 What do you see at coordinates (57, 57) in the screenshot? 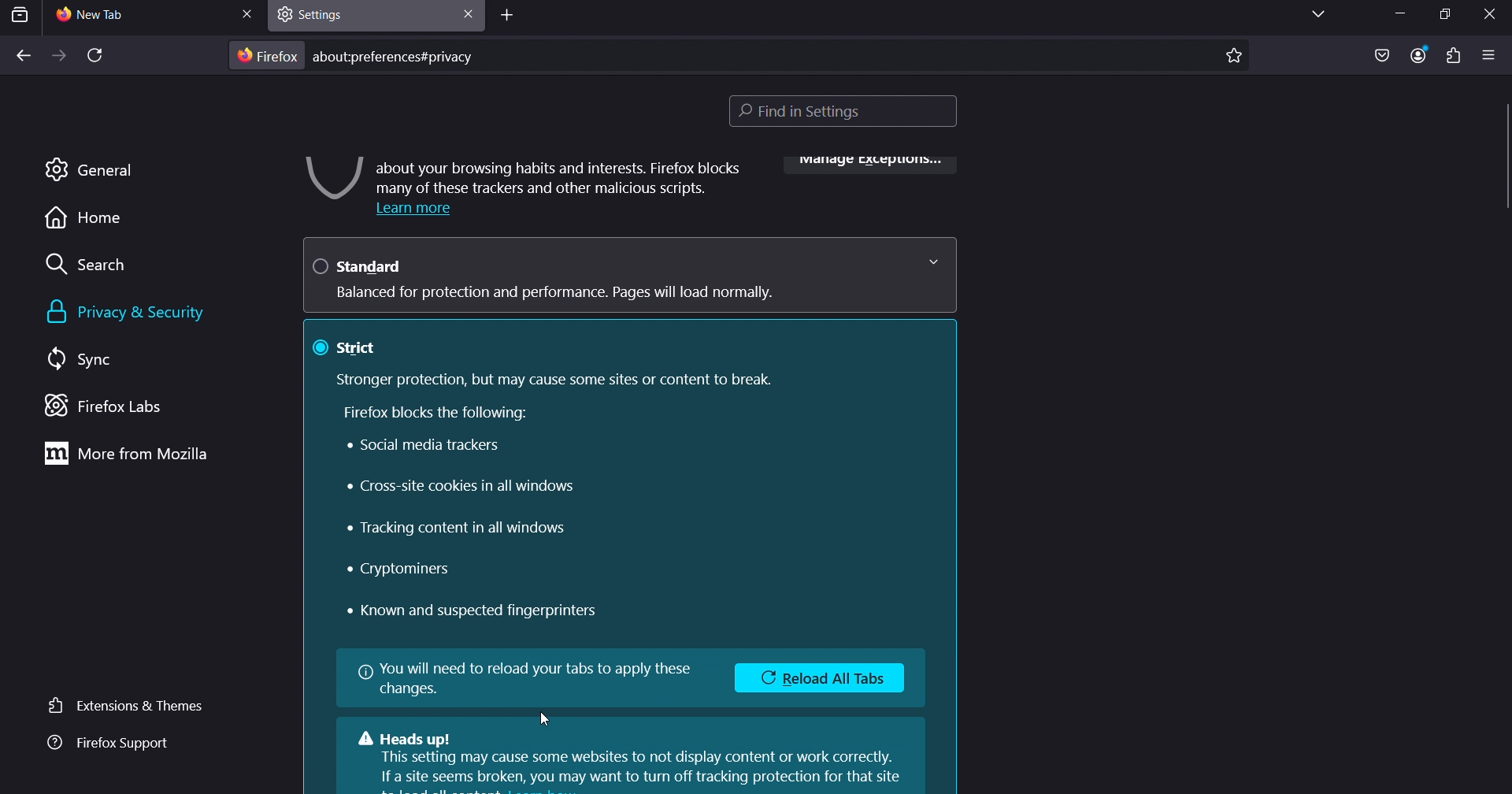
I see `forward one page` at bounding box center [57, 57].